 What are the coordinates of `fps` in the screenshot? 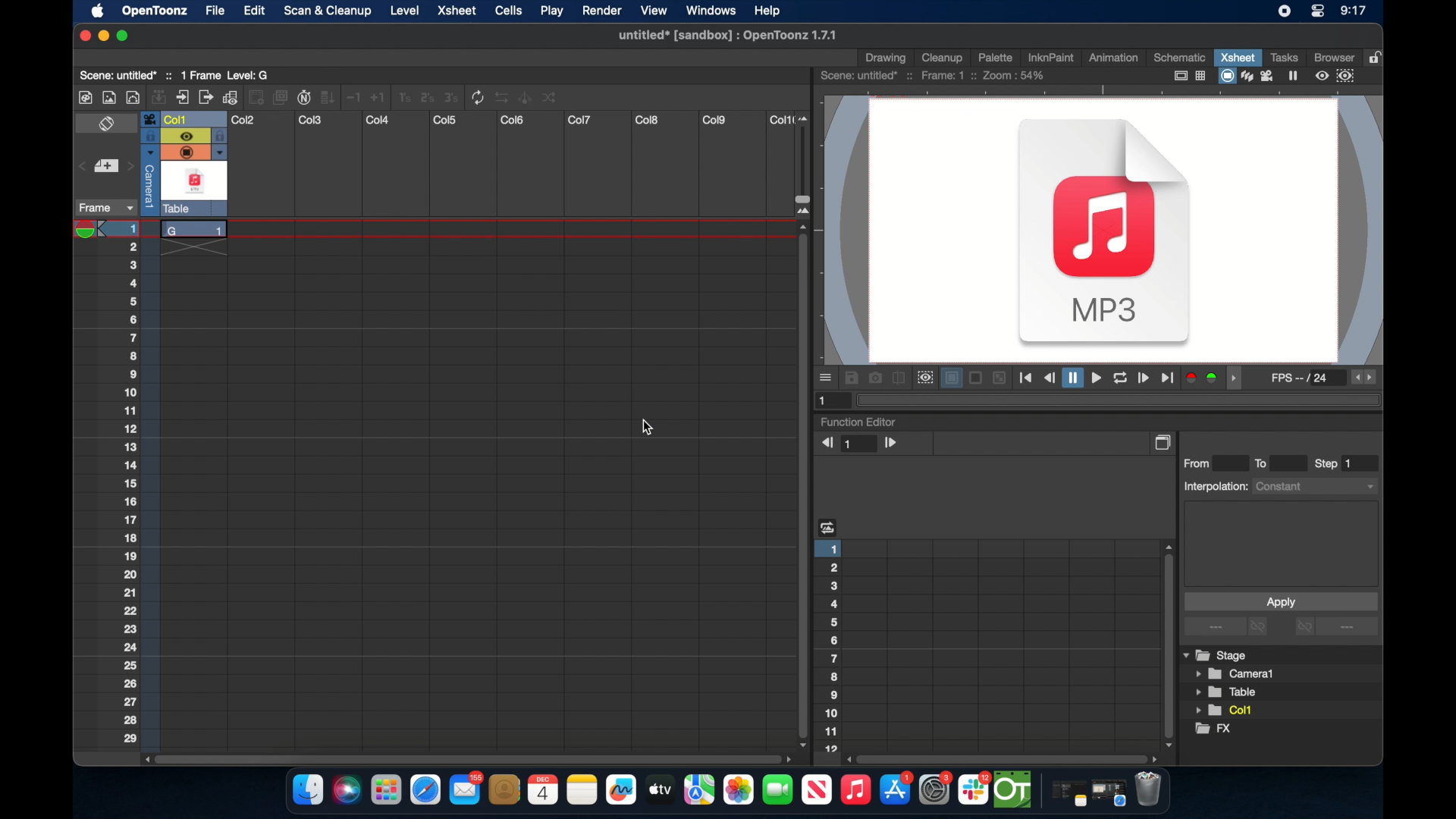 It's located at (1365, 378).